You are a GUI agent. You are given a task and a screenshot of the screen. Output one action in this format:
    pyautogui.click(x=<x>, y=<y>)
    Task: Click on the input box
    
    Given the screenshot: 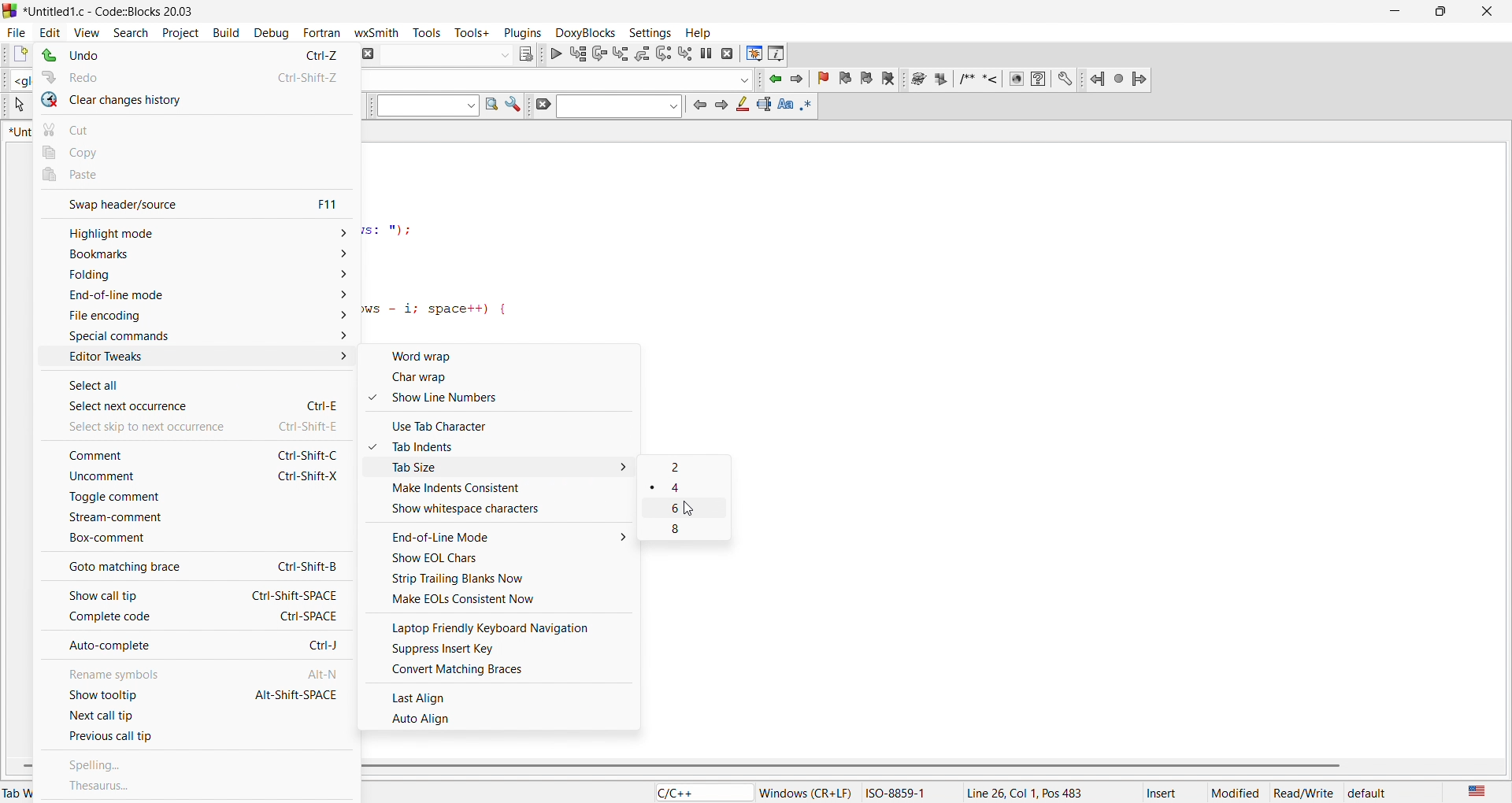 What is the action you would take?
    pyautogui.click(x=422, y=109)
    